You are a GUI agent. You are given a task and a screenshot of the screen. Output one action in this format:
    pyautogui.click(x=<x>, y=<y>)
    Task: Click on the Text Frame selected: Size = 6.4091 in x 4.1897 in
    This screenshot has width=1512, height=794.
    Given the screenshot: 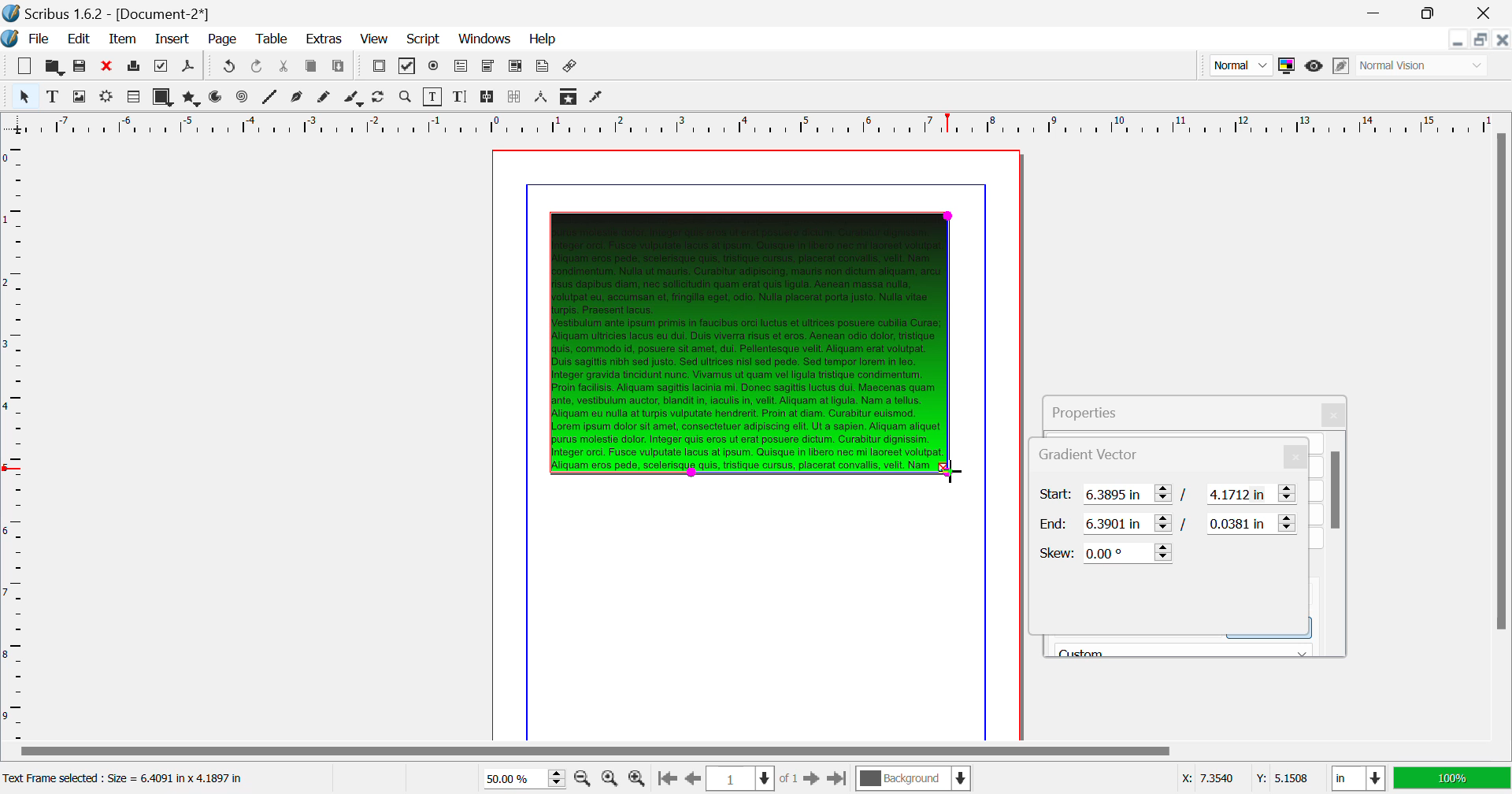 What is the action you would take?
    pyautogui.click(x=127, y=779)
    